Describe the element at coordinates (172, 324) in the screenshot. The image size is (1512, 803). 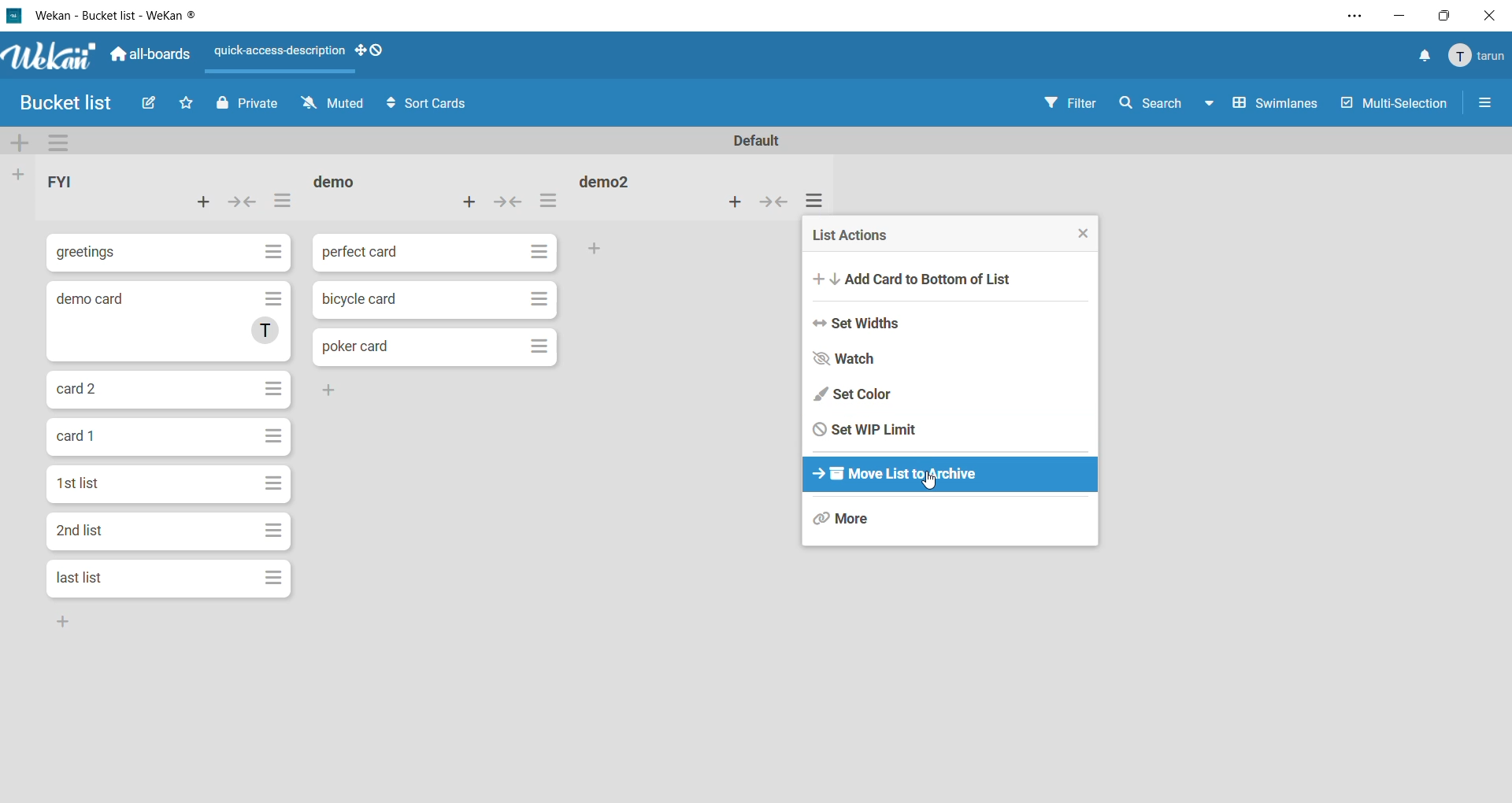
I see `cards` at that location.